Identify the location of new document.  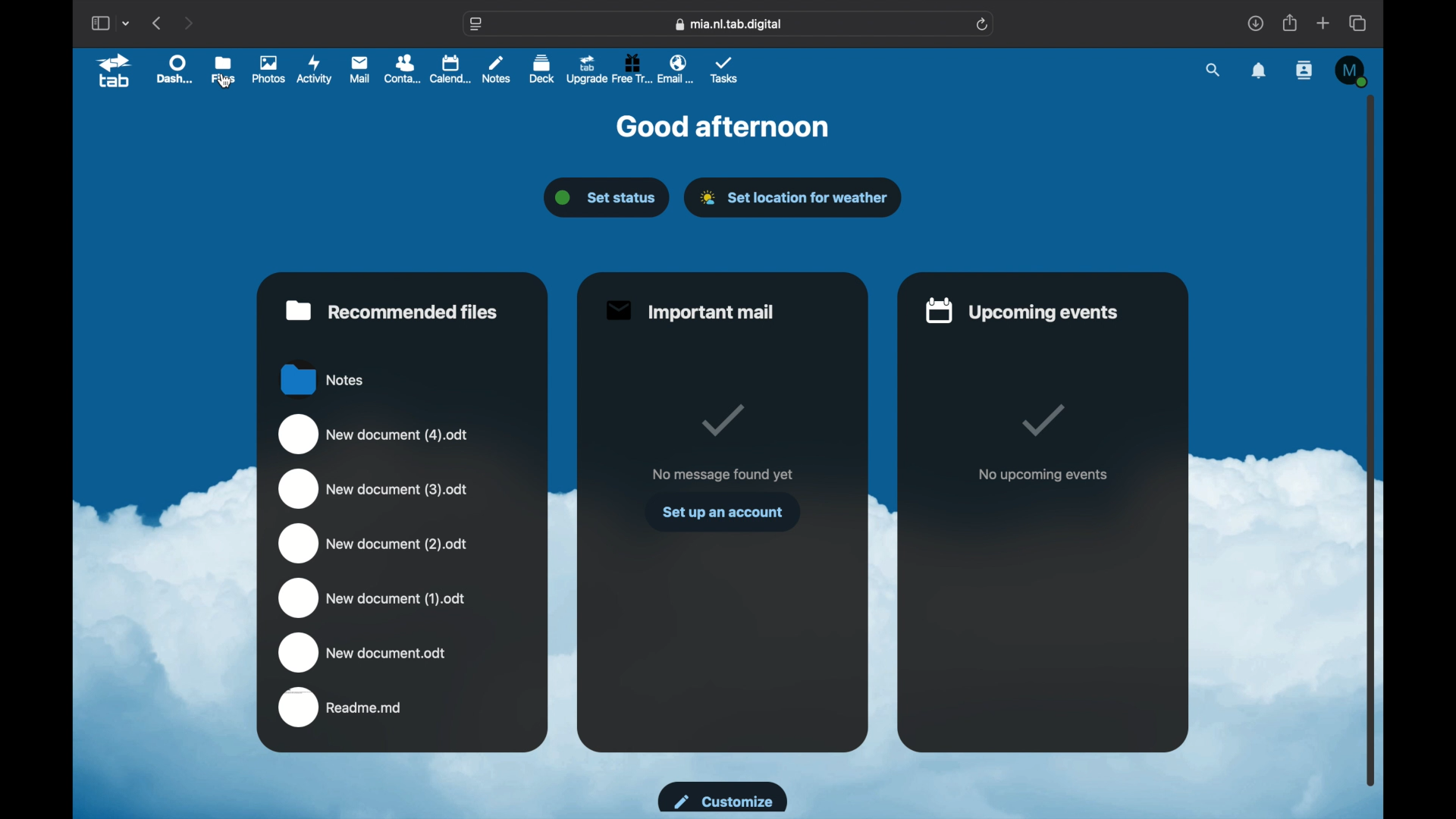
(362, 653).